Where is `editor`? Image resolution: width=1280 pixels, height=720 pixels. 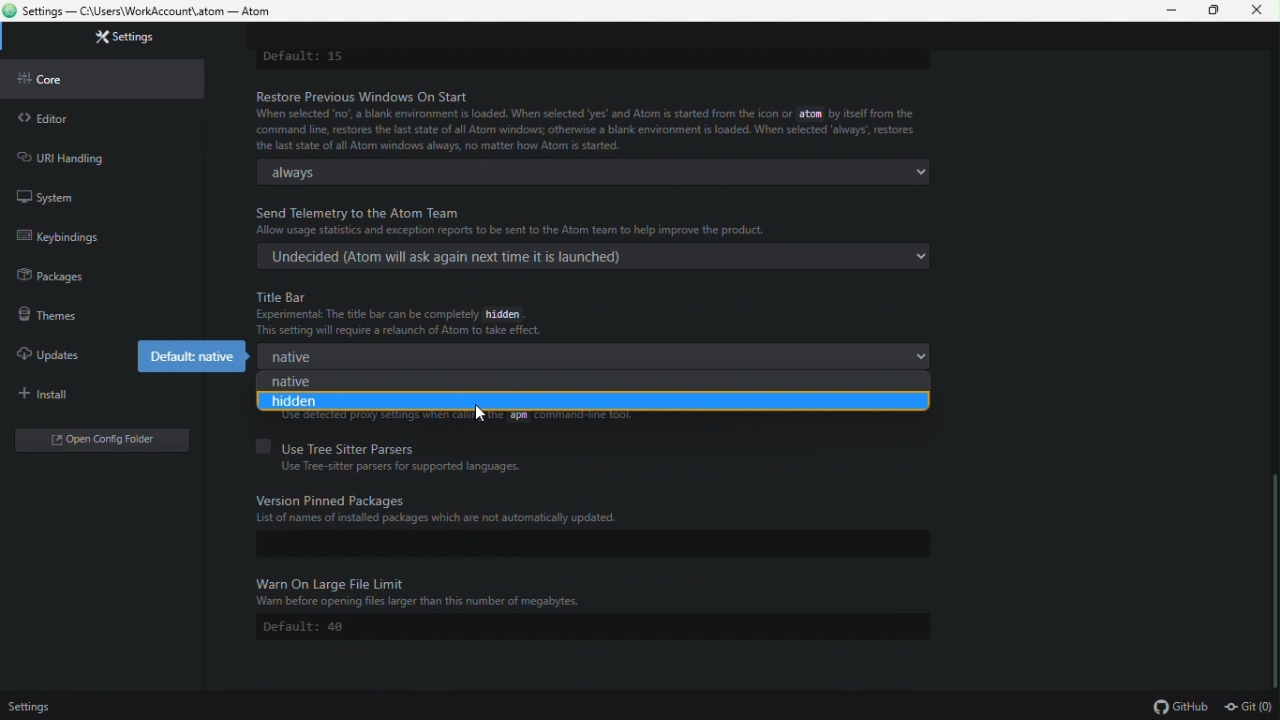
editor is located at coordinates (106, 114).